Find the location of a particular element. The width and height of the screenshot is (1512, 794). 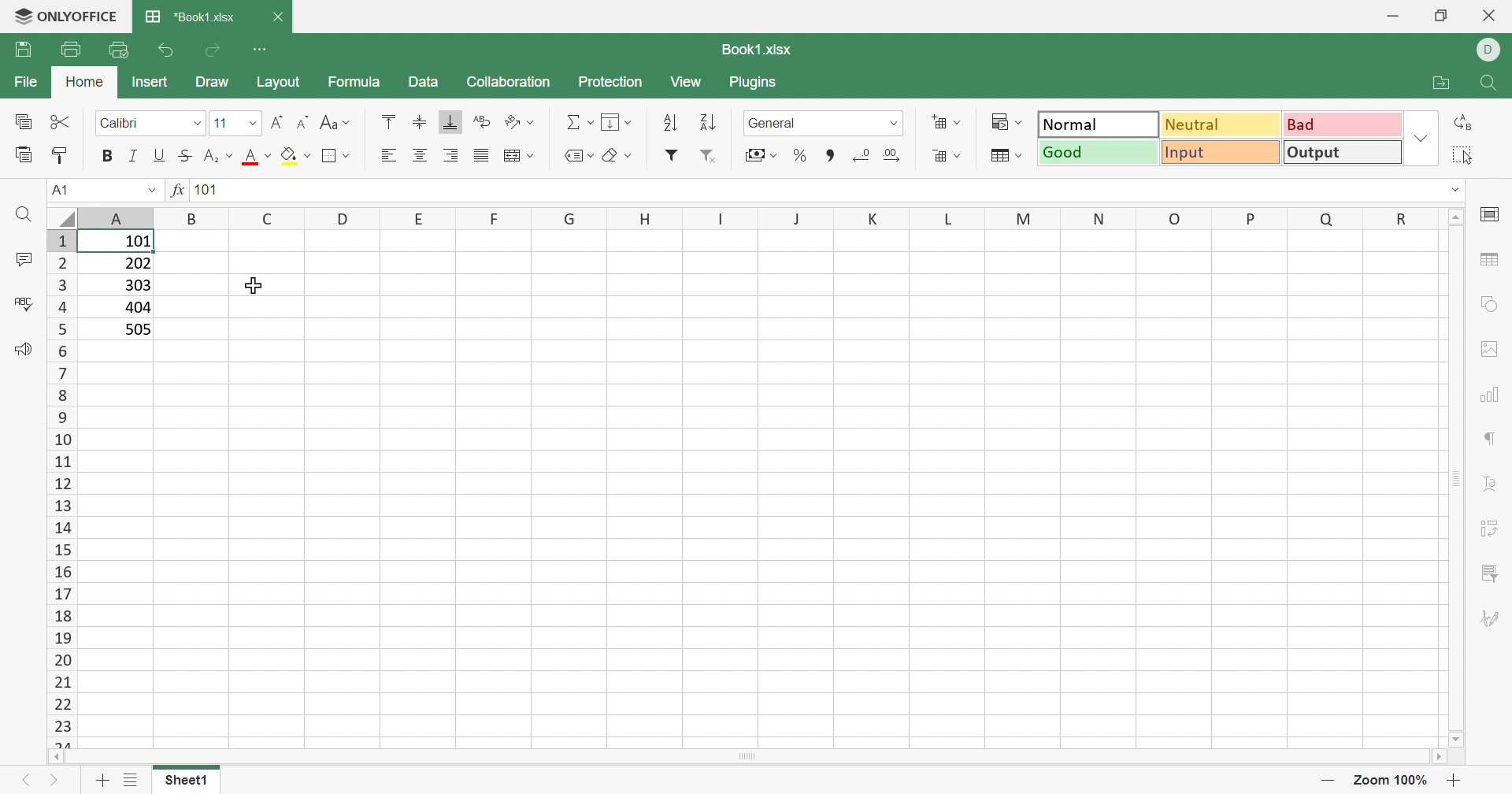

Zoom out is located at coordinates (1325, 780).